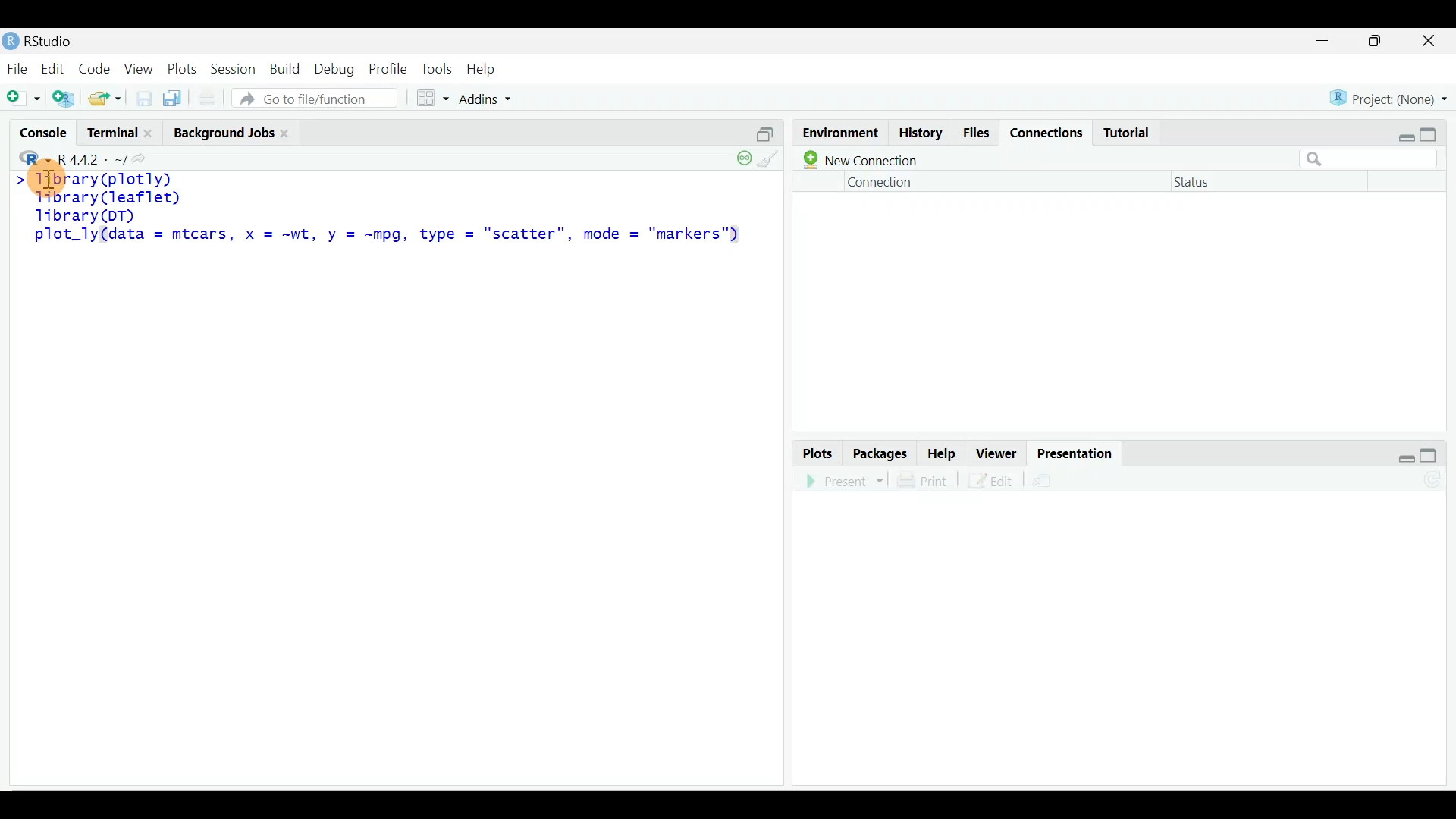 This screenshot has width=1456, height=819. What do you see at coordinates (1042, 129) in the screenshot?
I see `Connections` at bounding box center [1042, 129].